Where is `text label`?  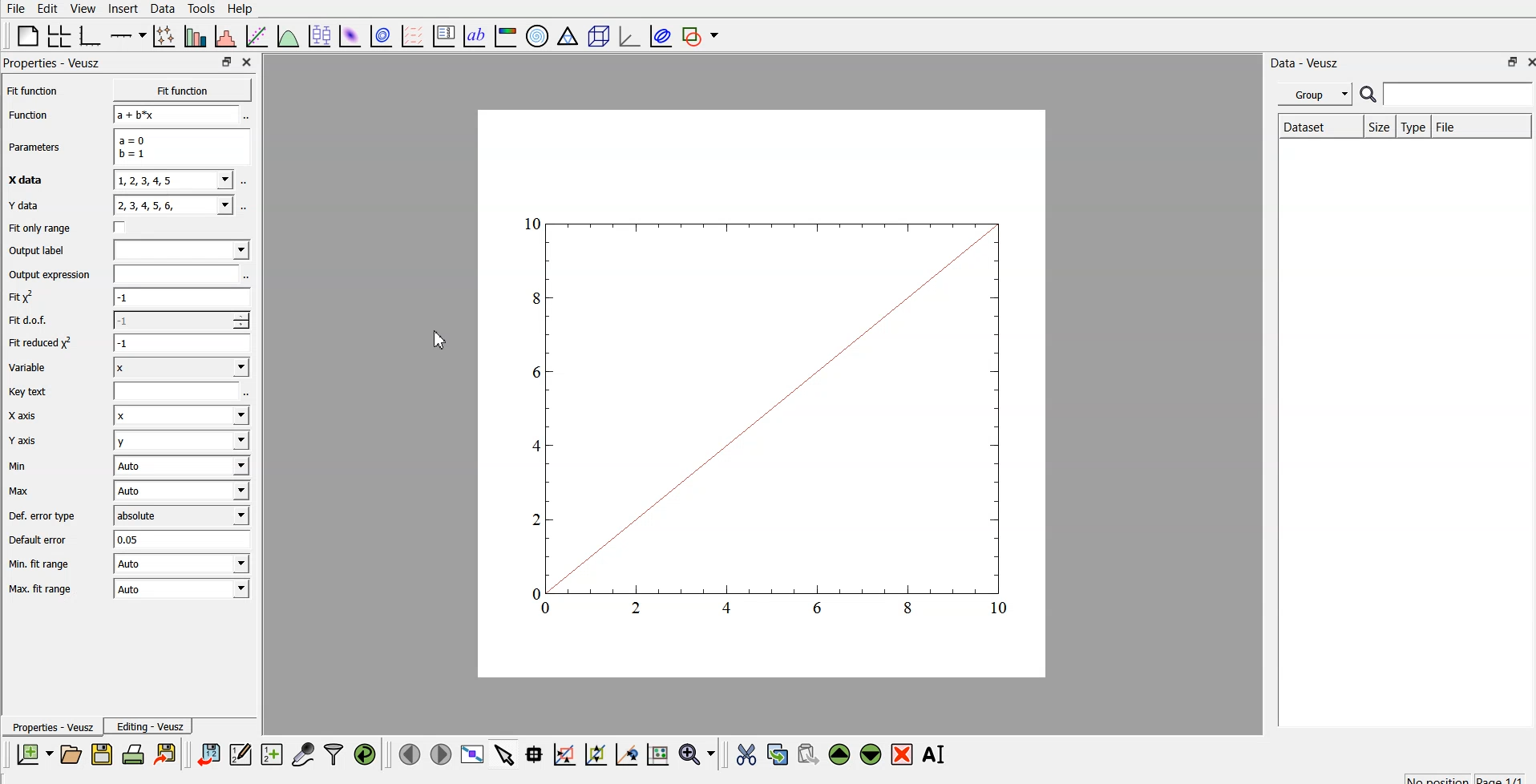
text label is located at coordinates (473, 36).